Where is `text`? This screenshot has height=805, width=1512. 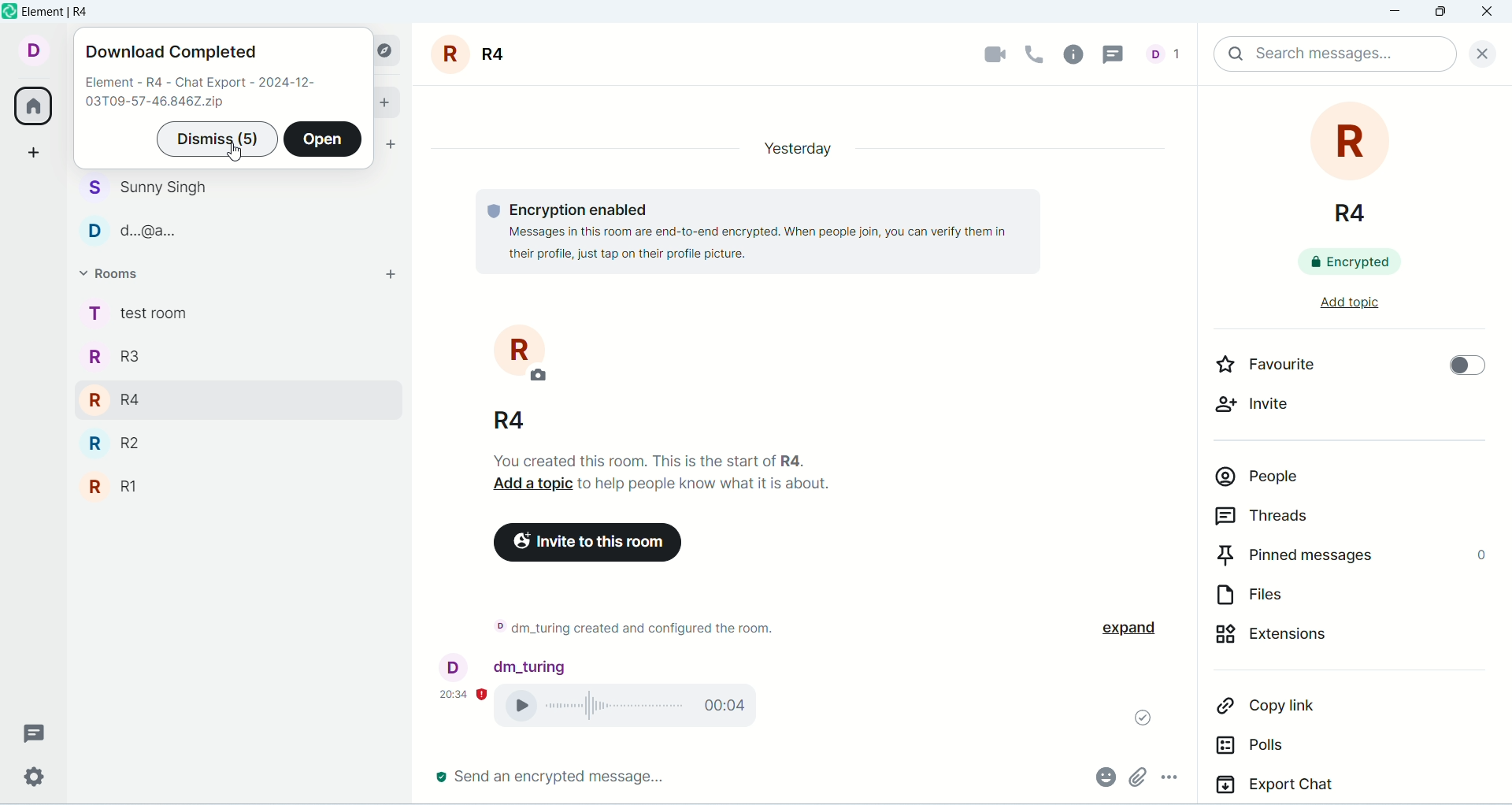 text is located at coordinates (202, 94).